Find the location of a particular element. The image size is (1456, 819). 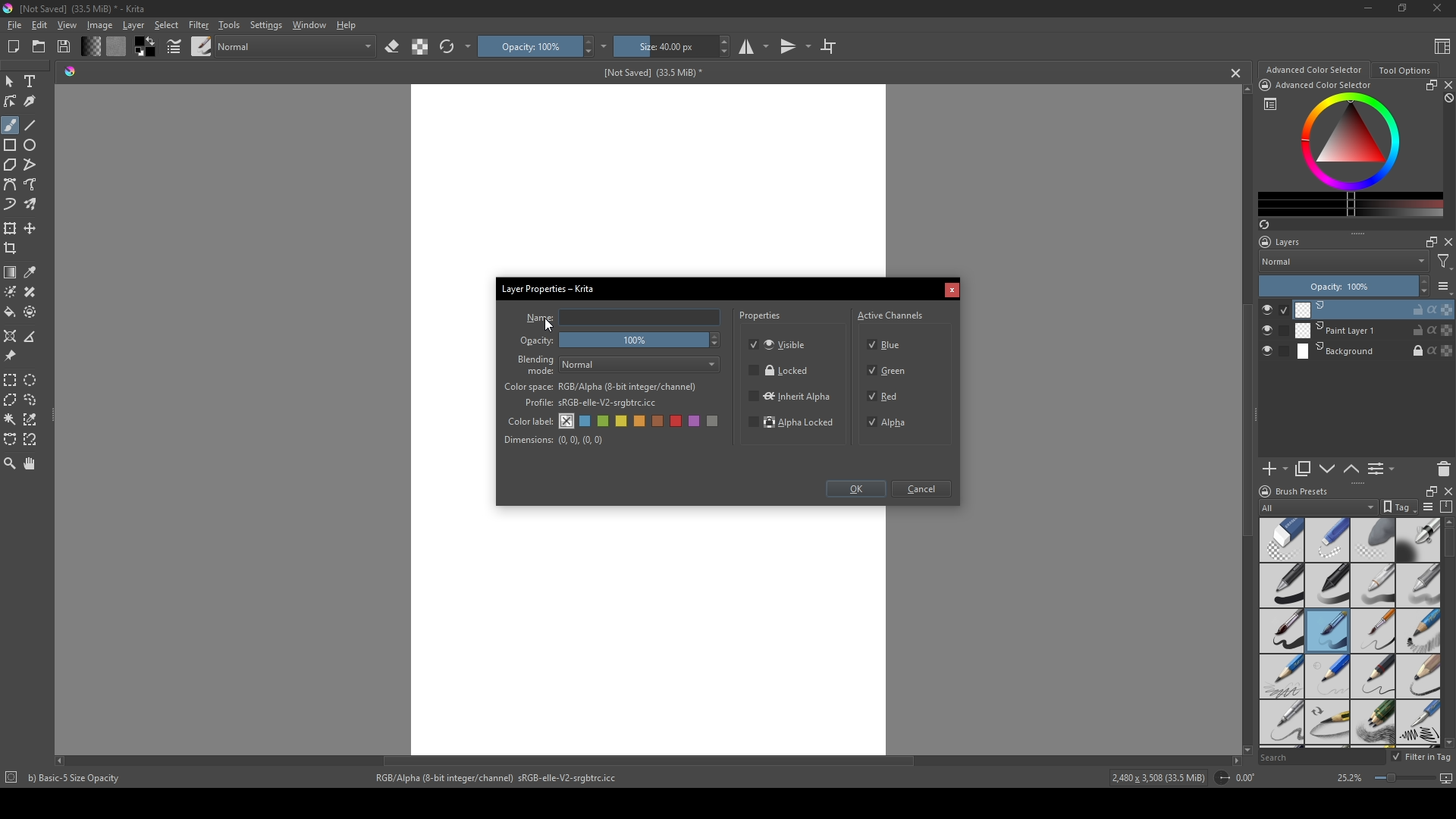

contrast is located at coordinates (419, 46).